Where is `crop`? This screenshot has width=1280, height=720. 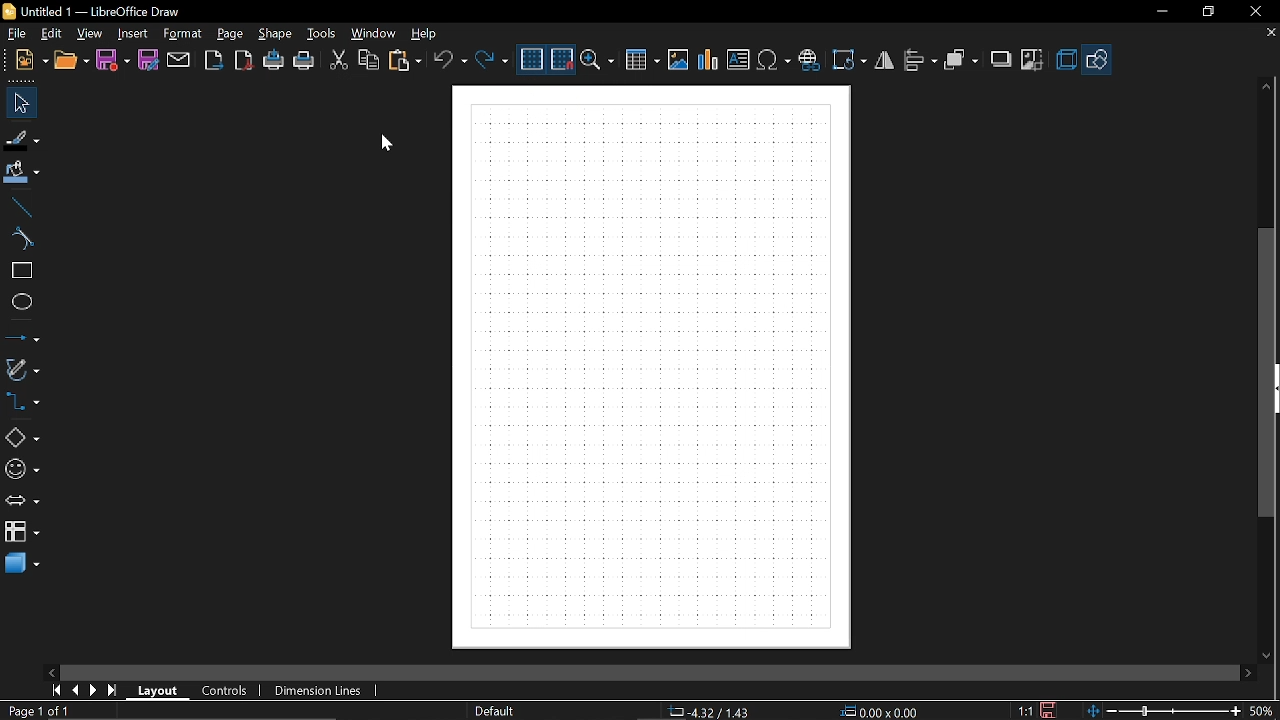 crop is located at coordinates (1036, 61).